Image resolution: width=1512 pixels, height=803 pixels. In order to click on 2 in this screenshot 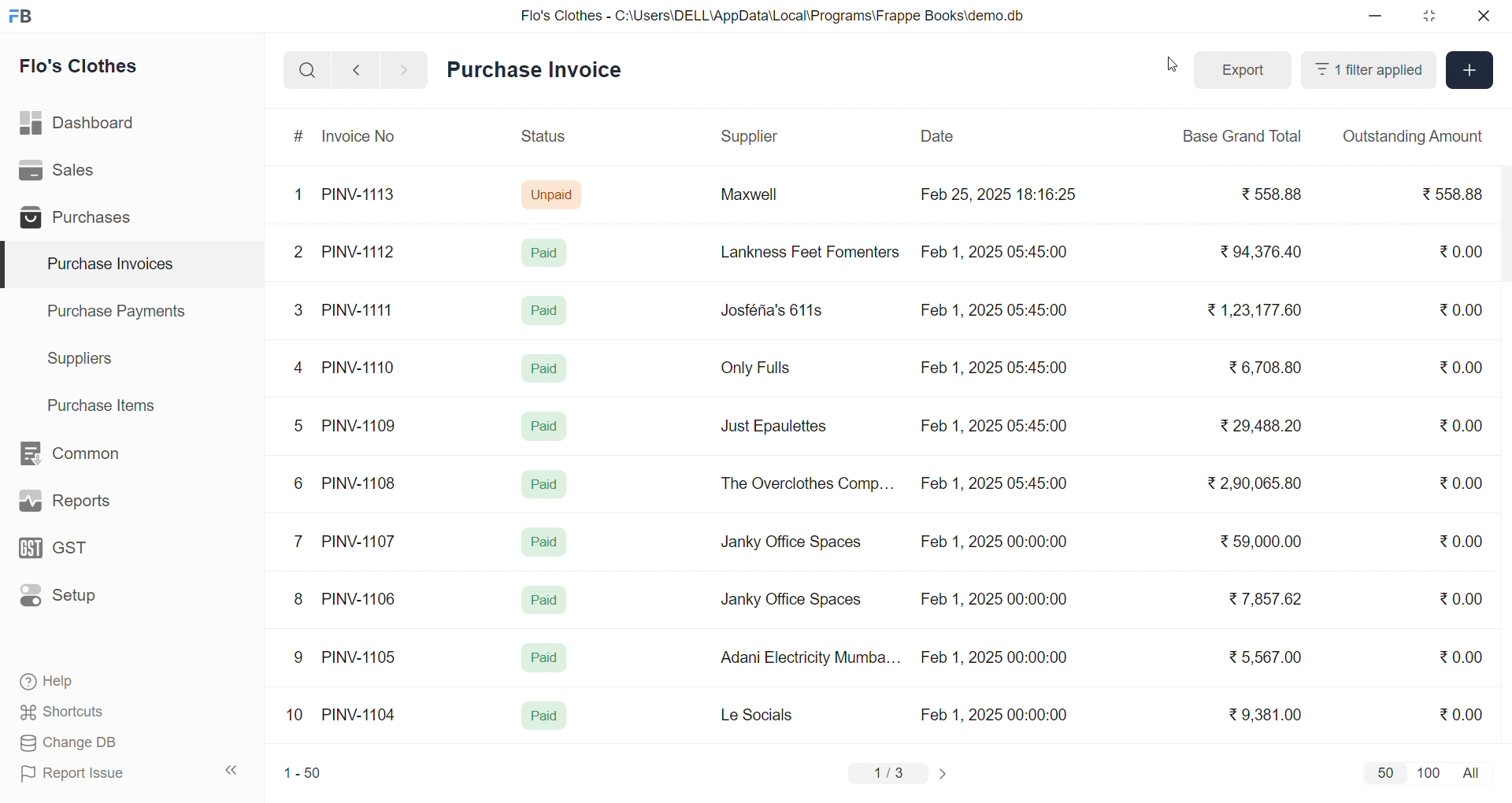, I will do `click(301, 254)`.